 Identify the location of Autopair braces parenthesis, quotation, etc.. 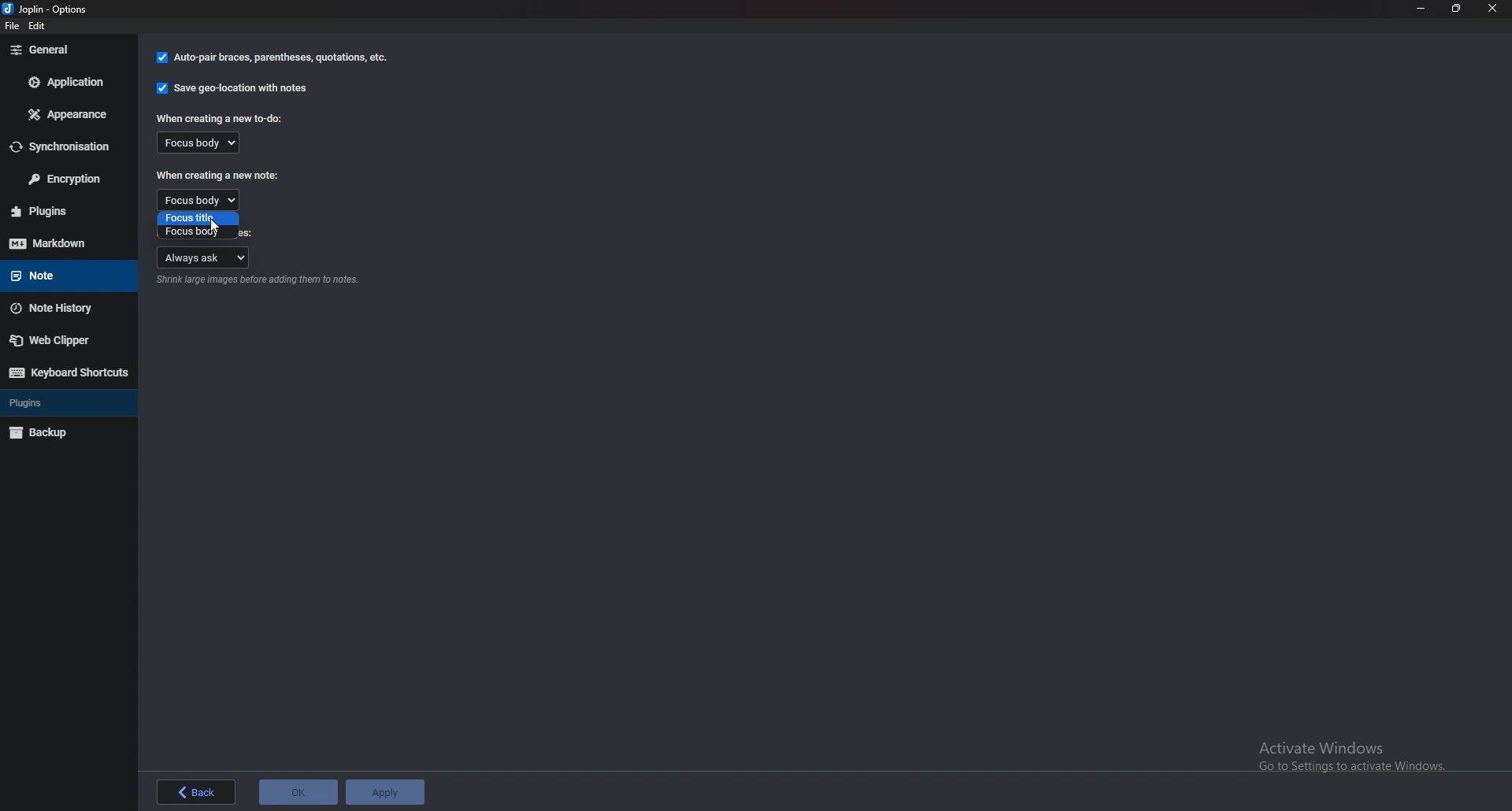
(272, 57).